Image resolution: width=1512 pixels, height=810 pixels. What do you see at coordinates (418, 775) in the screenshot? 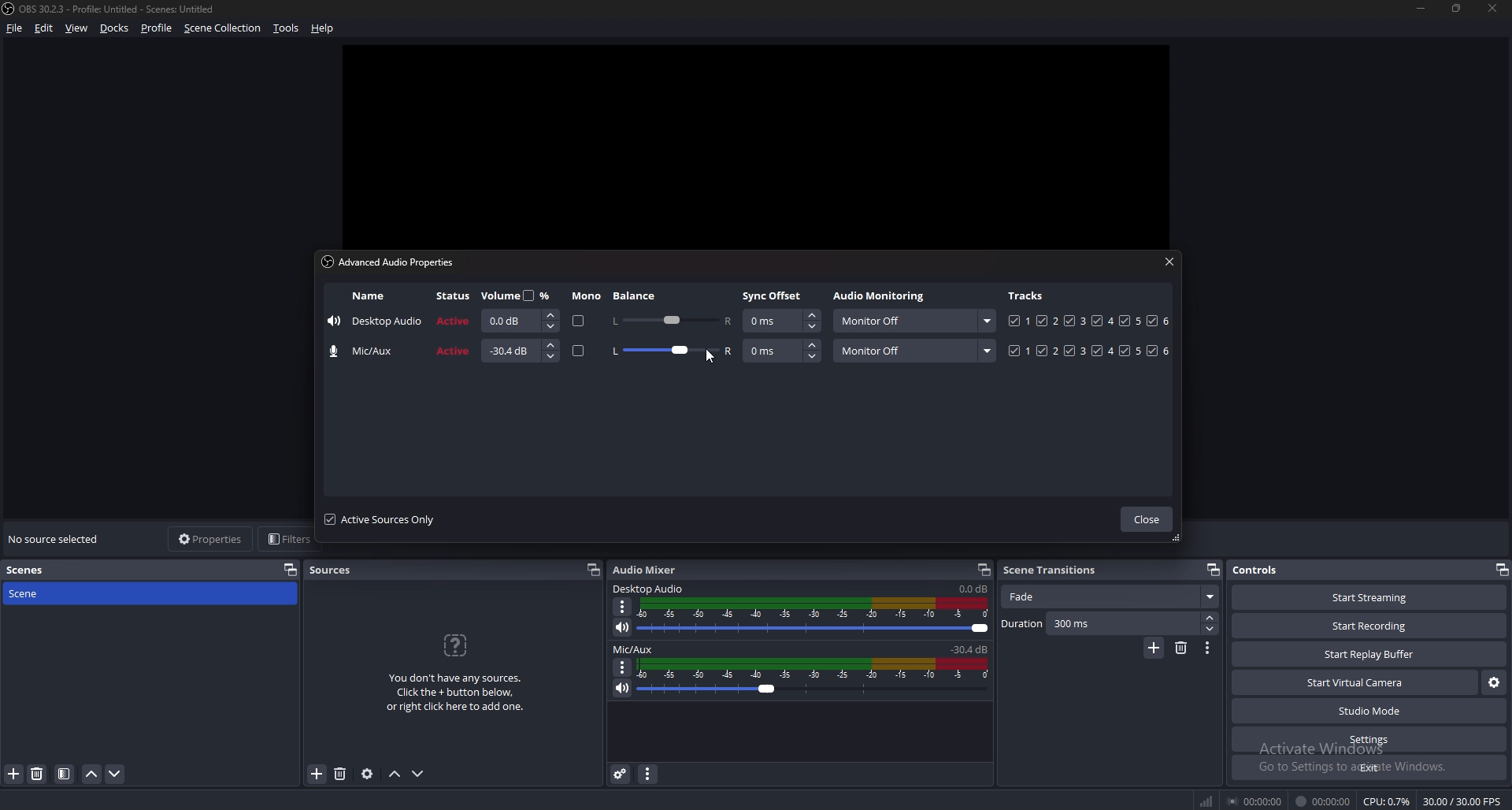
I see `move source down` at bounding box center [418, 775].